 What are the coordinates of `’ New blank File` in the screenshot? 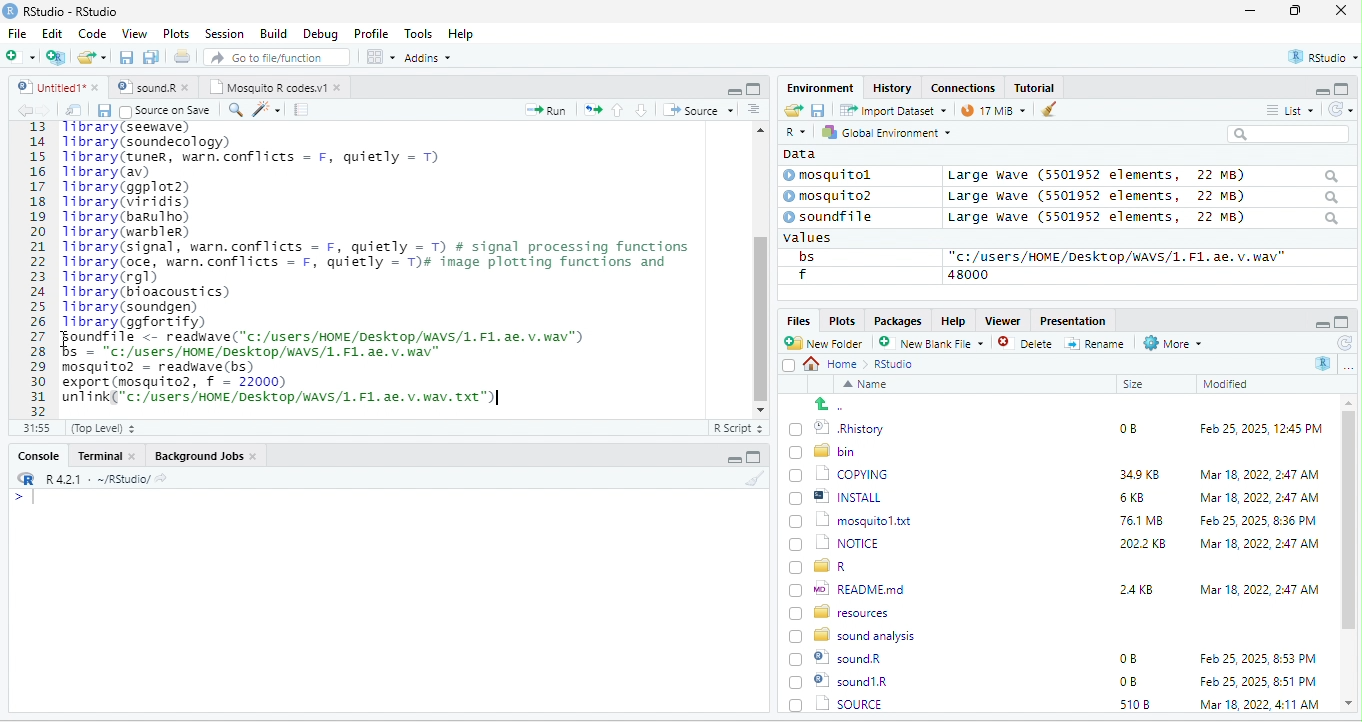 It's located at (937, 346).